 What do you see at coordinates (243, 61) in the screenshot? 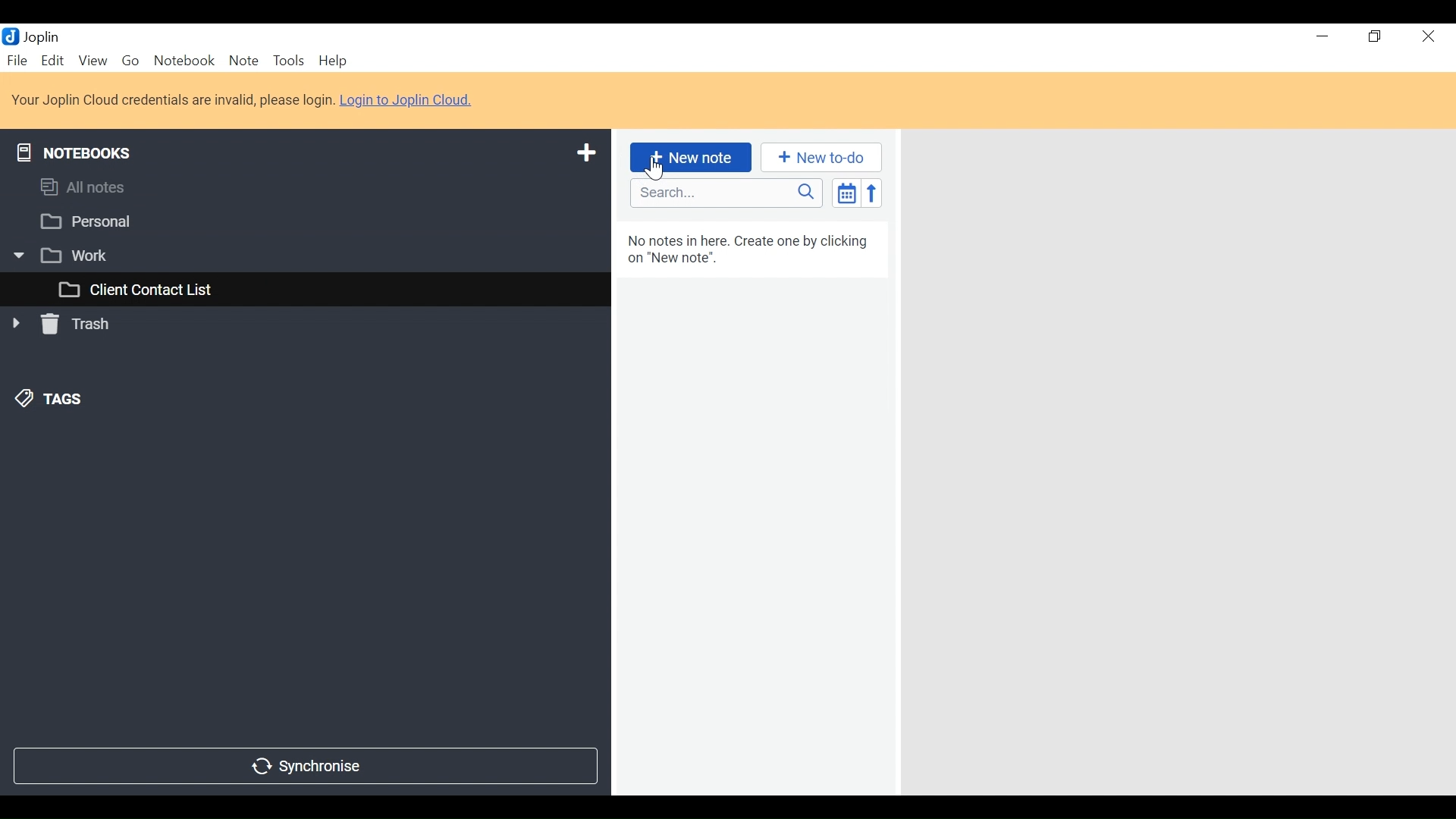
I see `Note` at bounding box center [243, 61].